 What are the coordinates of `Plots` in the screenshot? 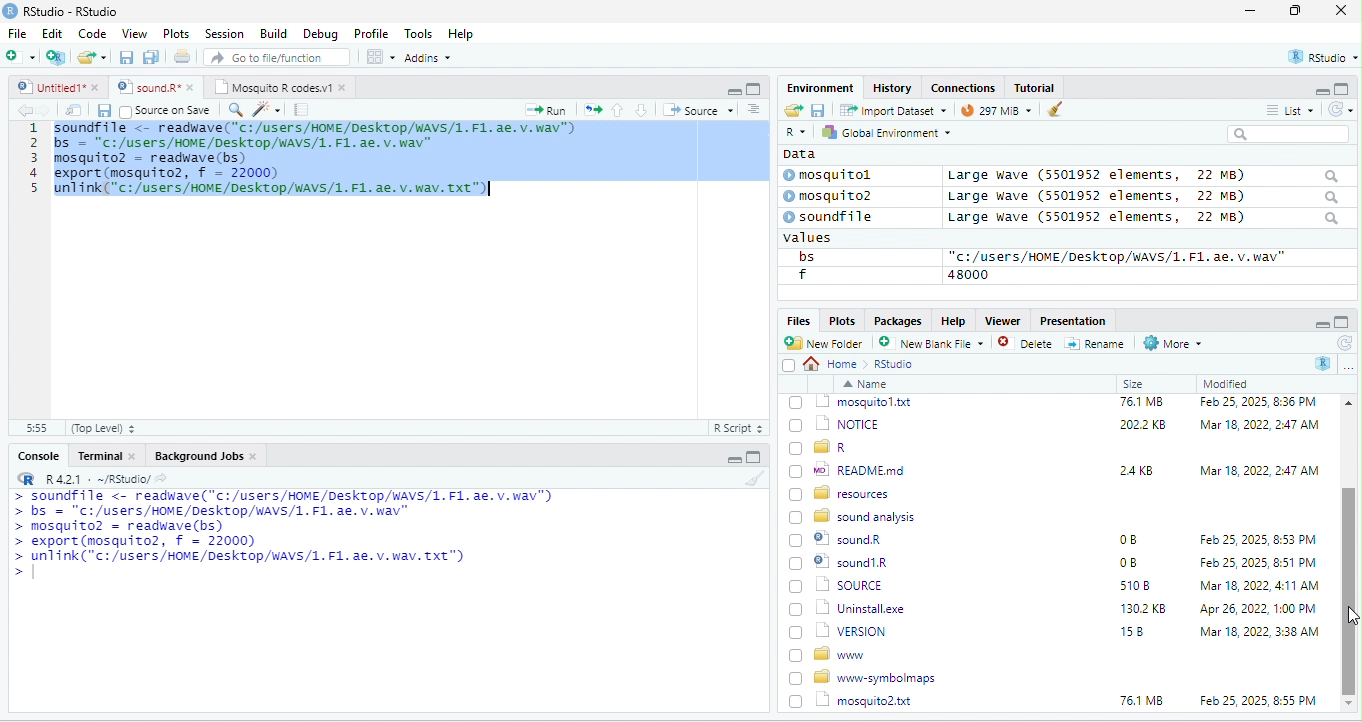 It's located at (177, 33).